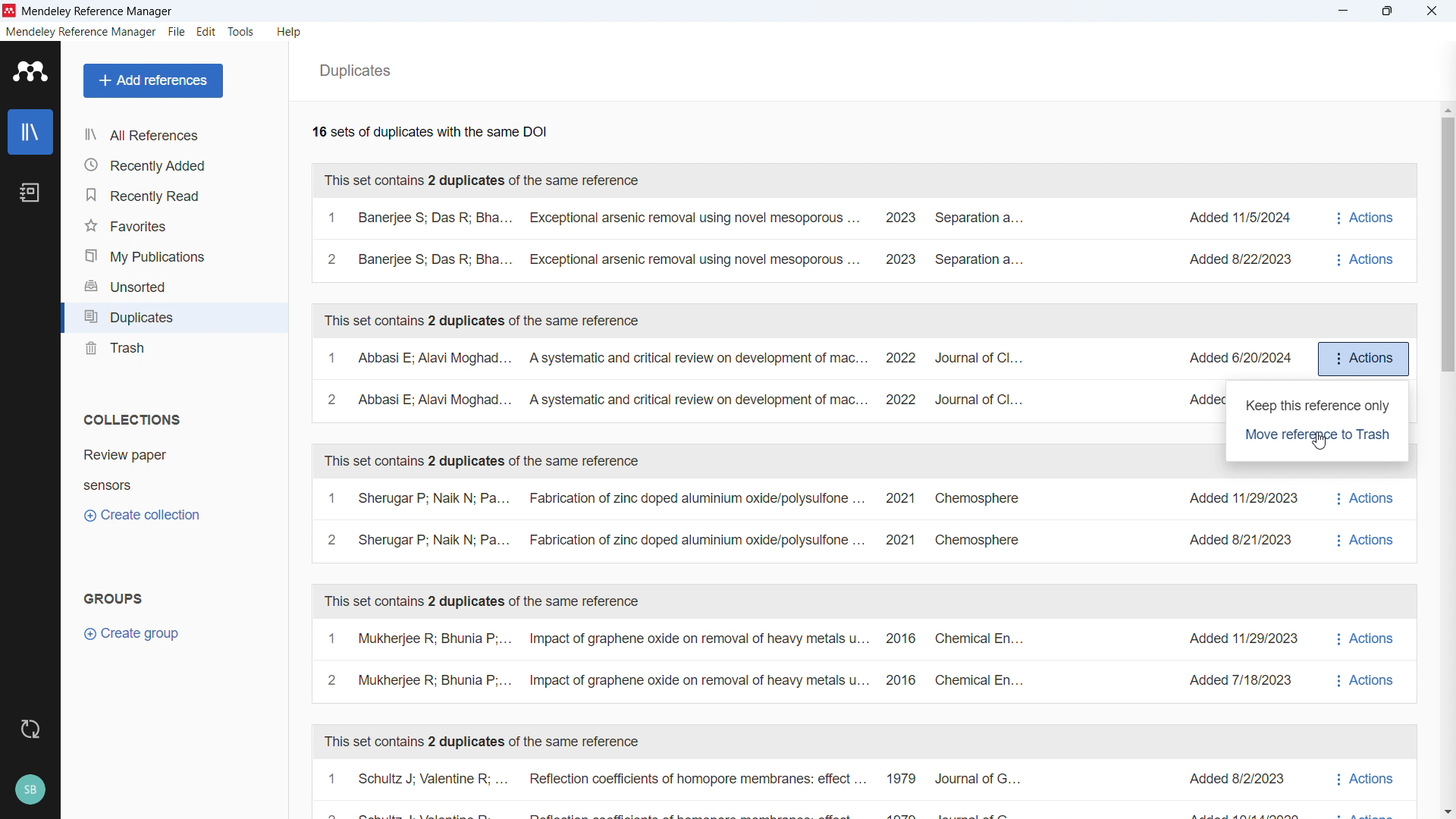 This screenshot has width=1456, height=819. What do you see at coordinates (485, 183) in the screenshot?
I see `This set contains 2 duplicates of the same reference` at bounding box center [485, 183].